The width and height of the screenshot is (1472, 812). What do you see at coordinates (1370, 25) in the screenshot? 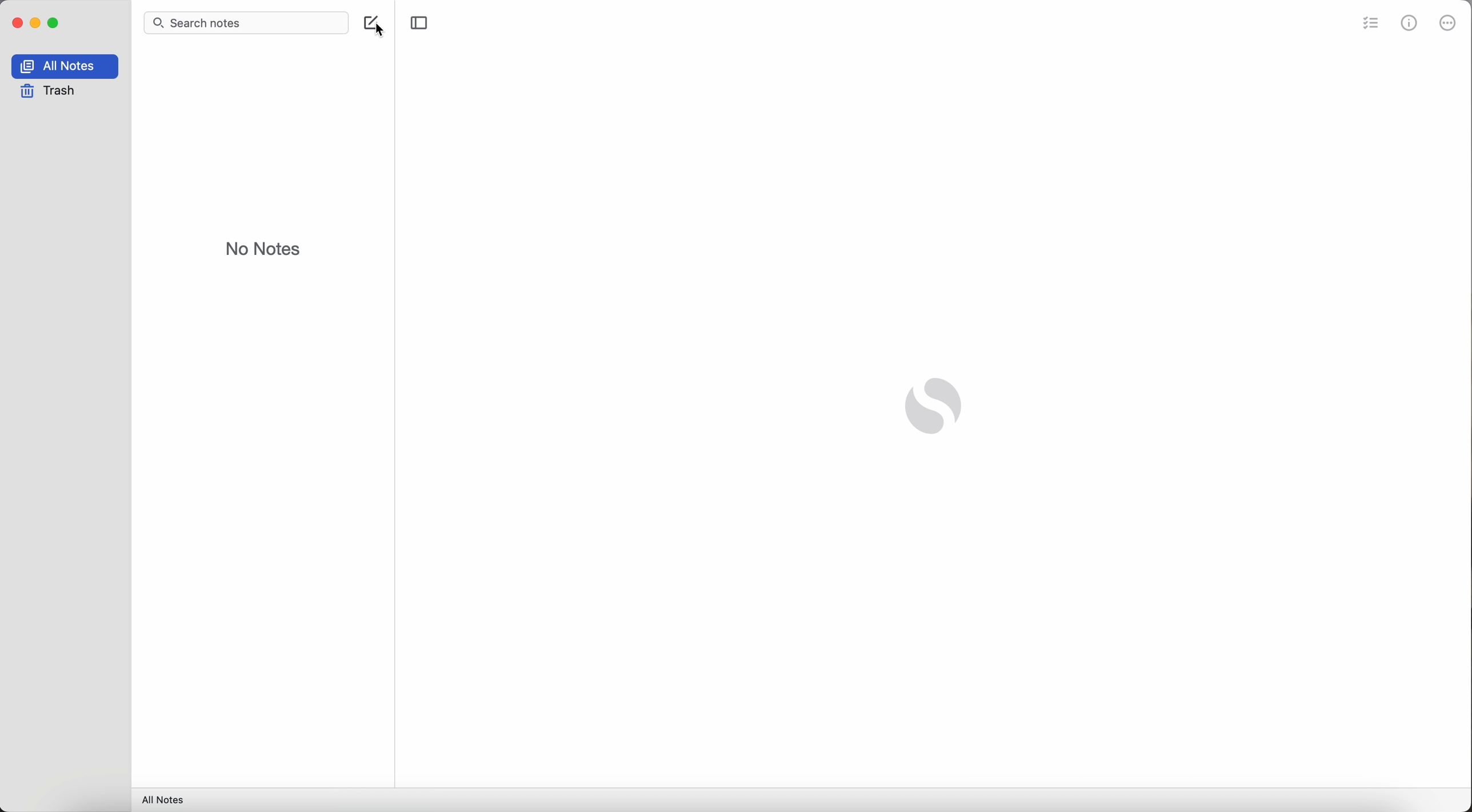
I see `check list` at bounding box center [1370, 25].